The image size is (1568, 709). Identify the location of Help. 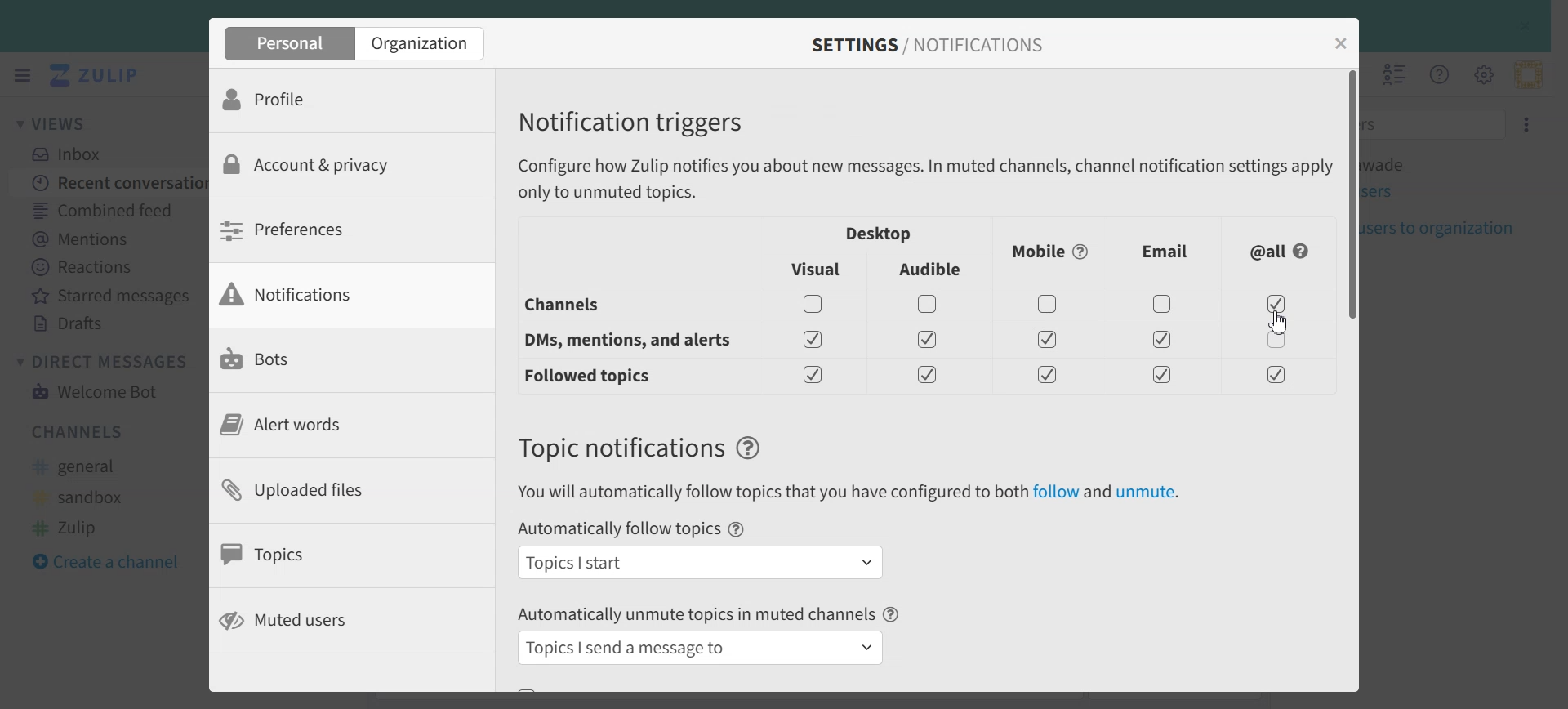
(737, 529).